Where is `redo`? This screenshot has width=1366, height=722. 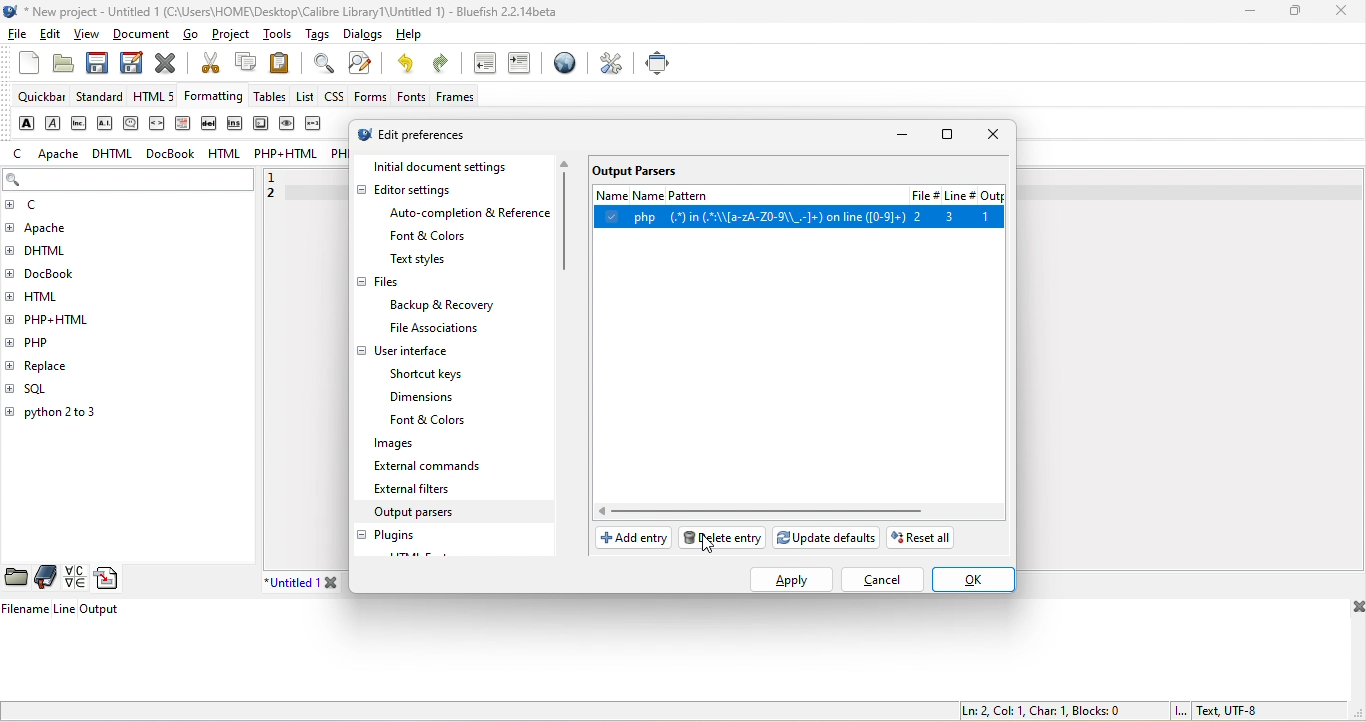
redo is located at coordinates (445, 66).